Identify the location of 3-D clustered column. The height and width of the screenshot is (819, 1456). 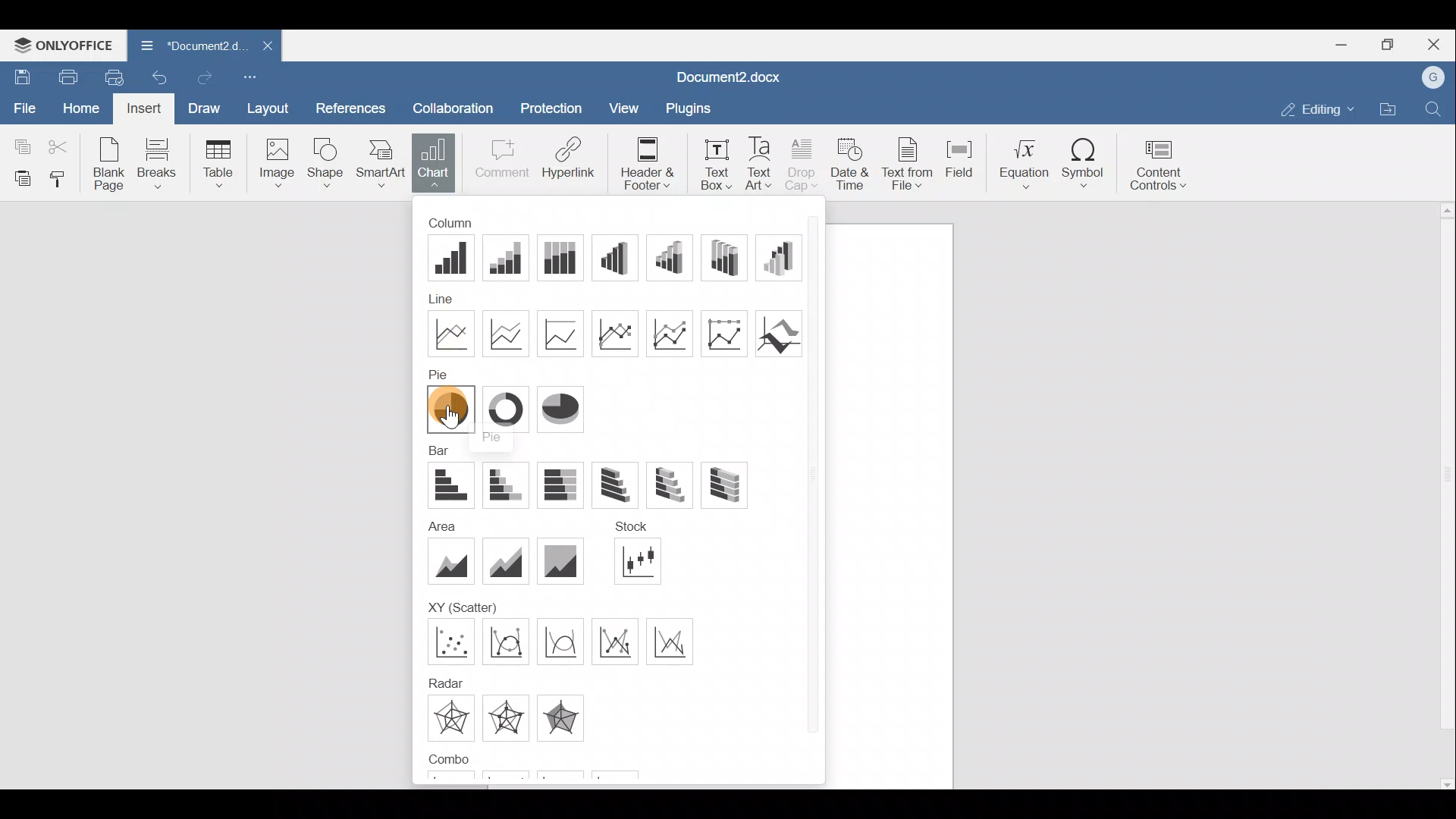
(614, 256).